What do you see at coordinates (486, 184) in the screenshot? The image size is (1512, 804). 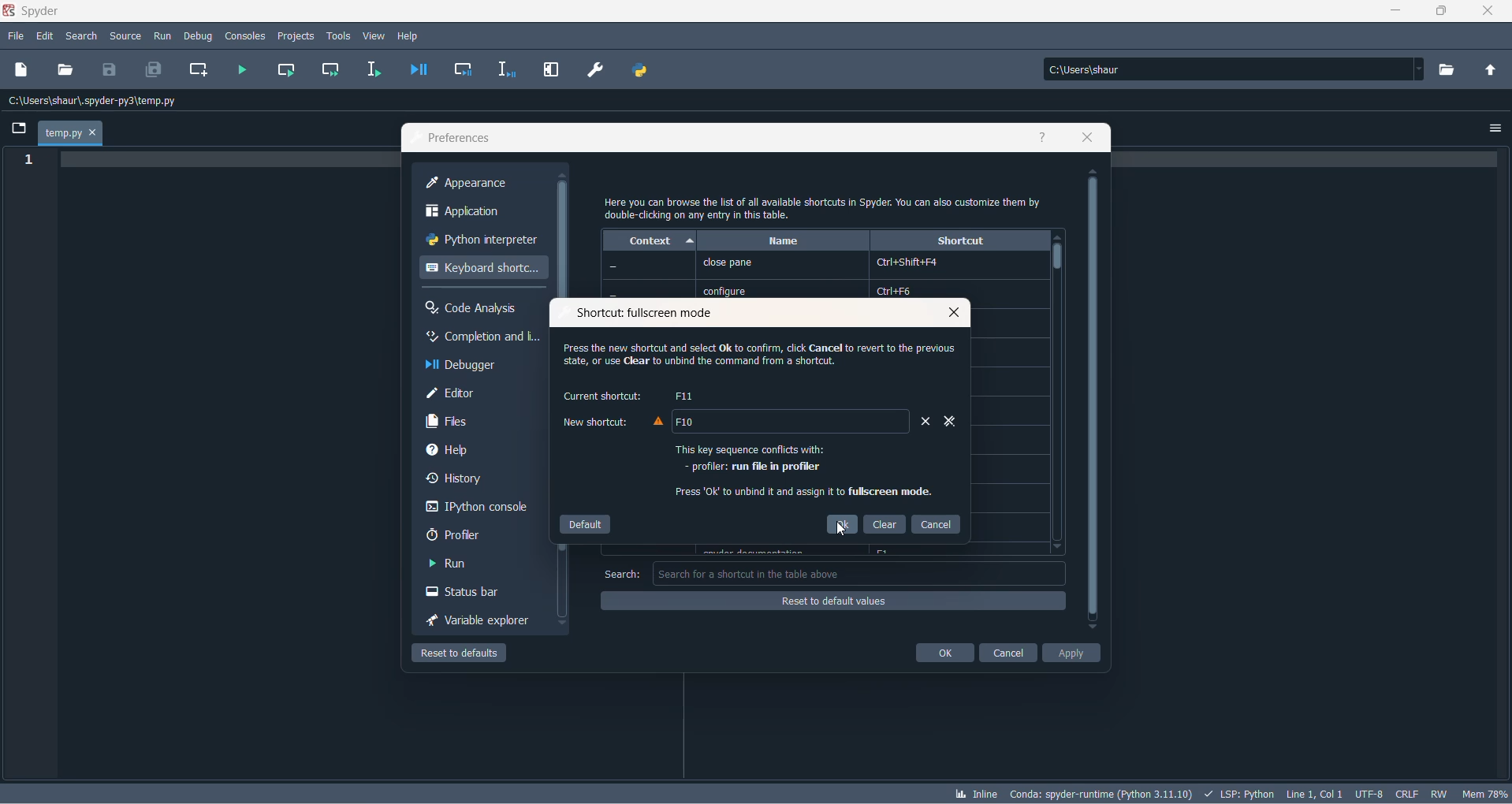 I see `appearance` at bounding box center [486, 184].